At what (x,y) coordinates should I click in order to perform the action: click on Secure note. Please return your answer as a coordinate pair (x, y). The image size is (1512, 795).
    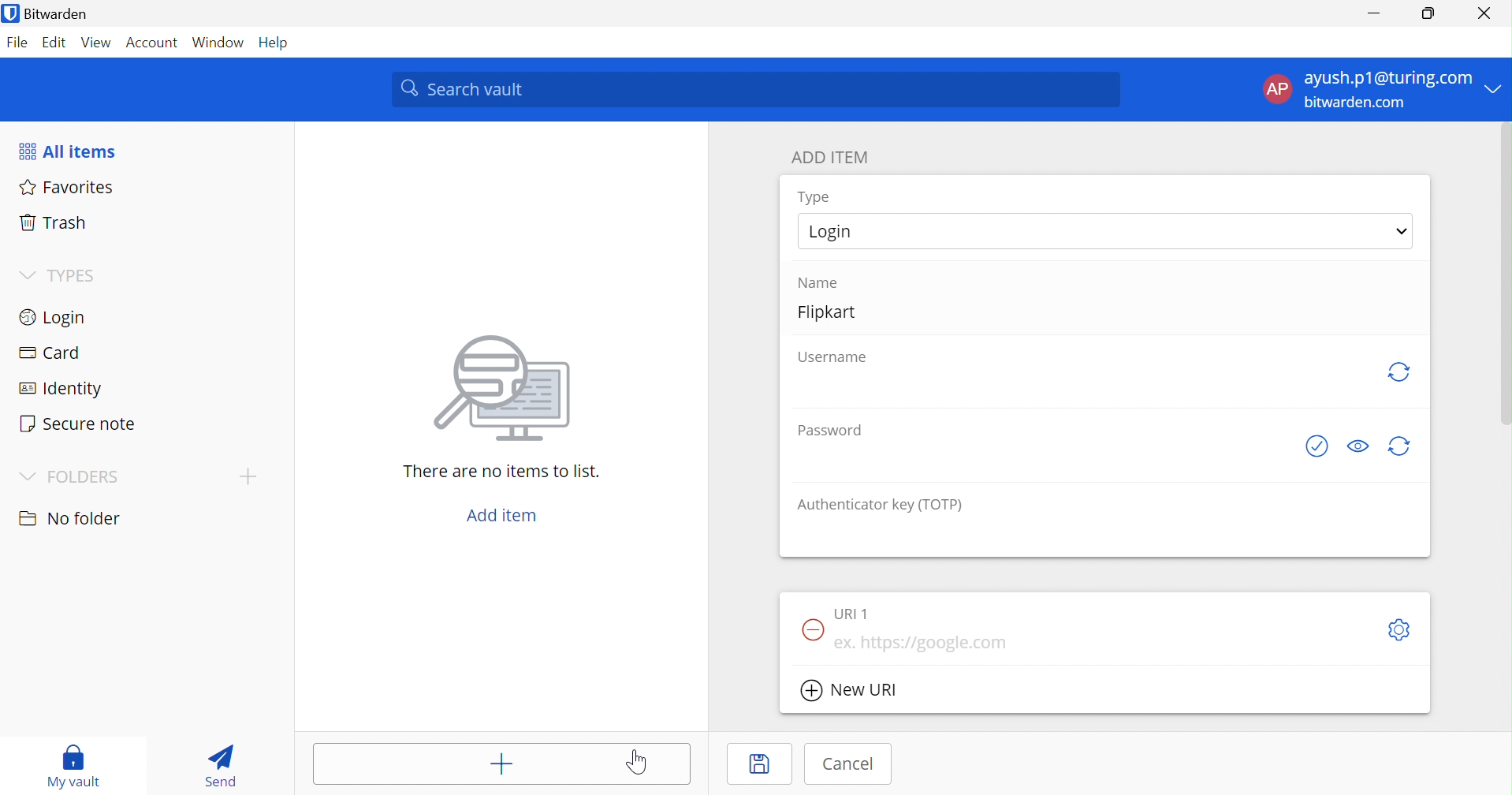
    Looking at the image, I should click on (80, 426).